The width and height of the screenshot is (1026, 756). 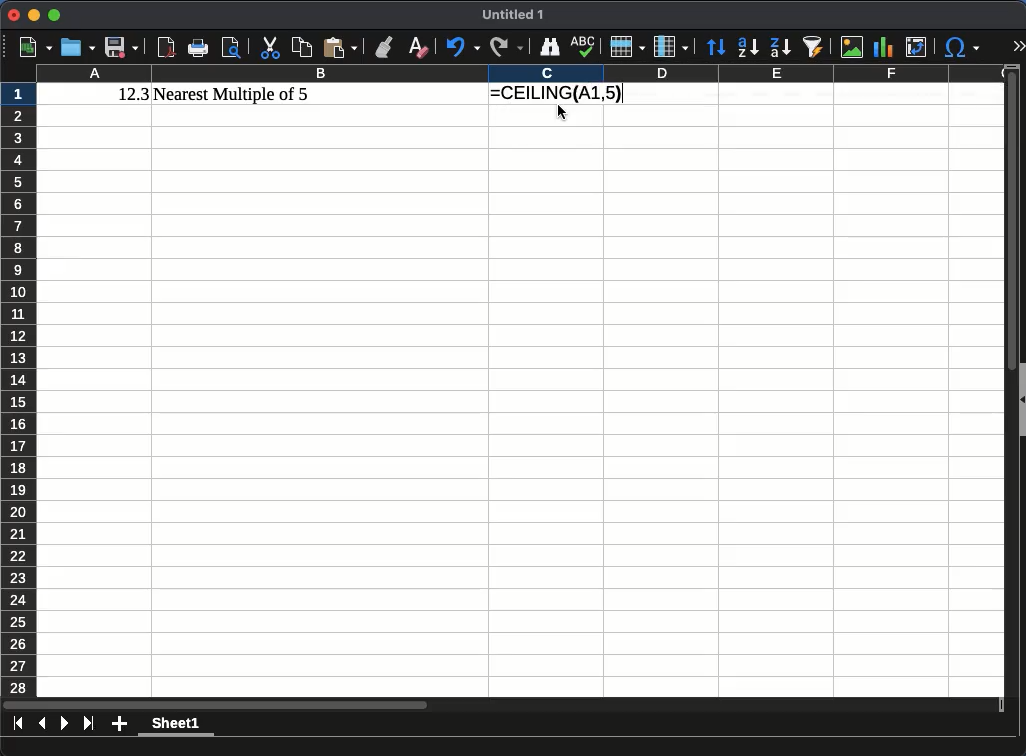 What do you see at coordinates (11, 15) in the screenshot?
I see `close` at bounding box center [11, 15].